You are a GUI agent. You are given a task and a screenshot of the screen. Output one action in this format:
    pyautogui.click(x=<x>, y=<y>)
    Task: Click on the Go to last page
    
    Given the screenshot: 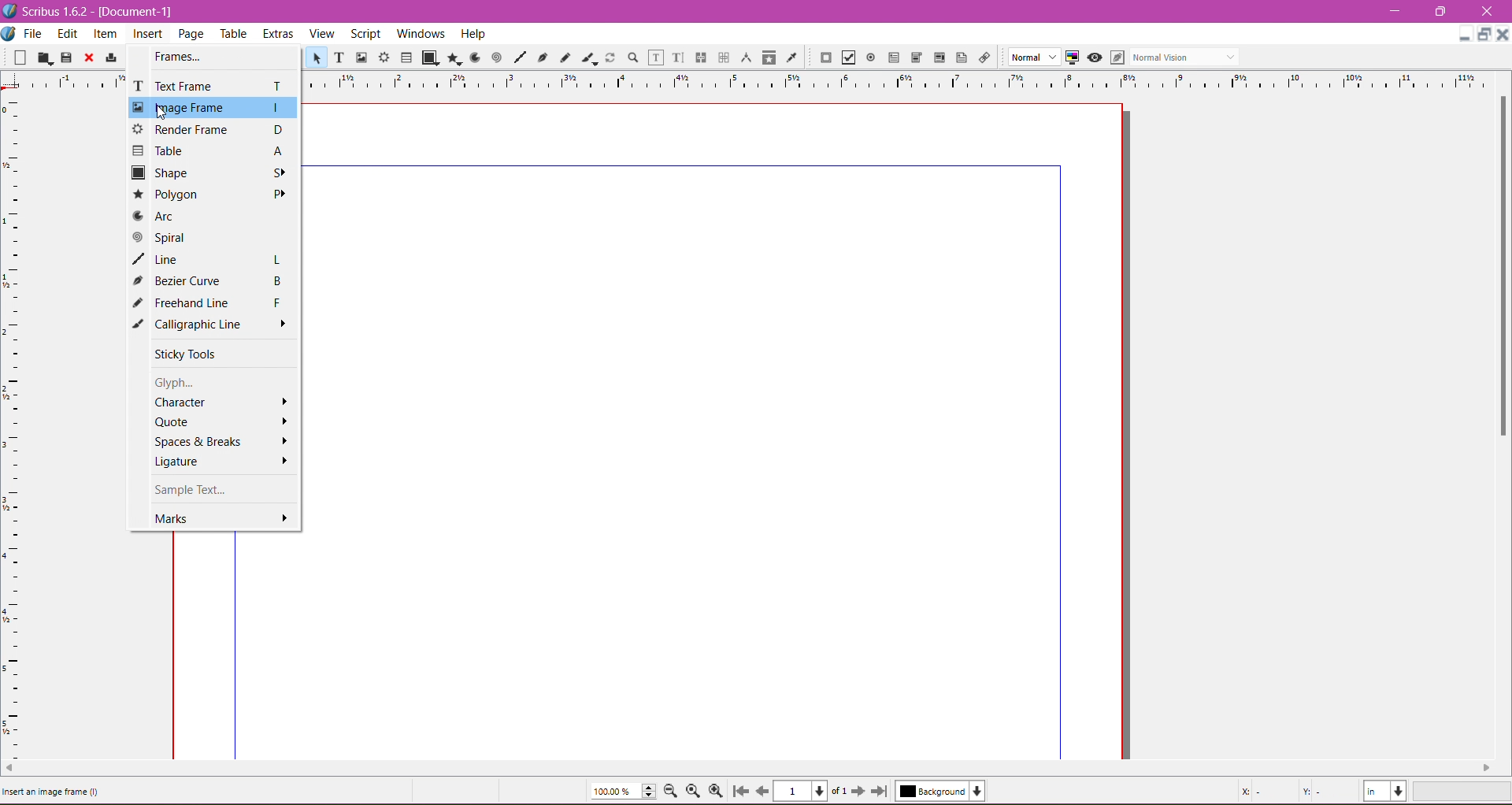 What is the action you would take?
    pyautogui.click(x=880, y=791)
    